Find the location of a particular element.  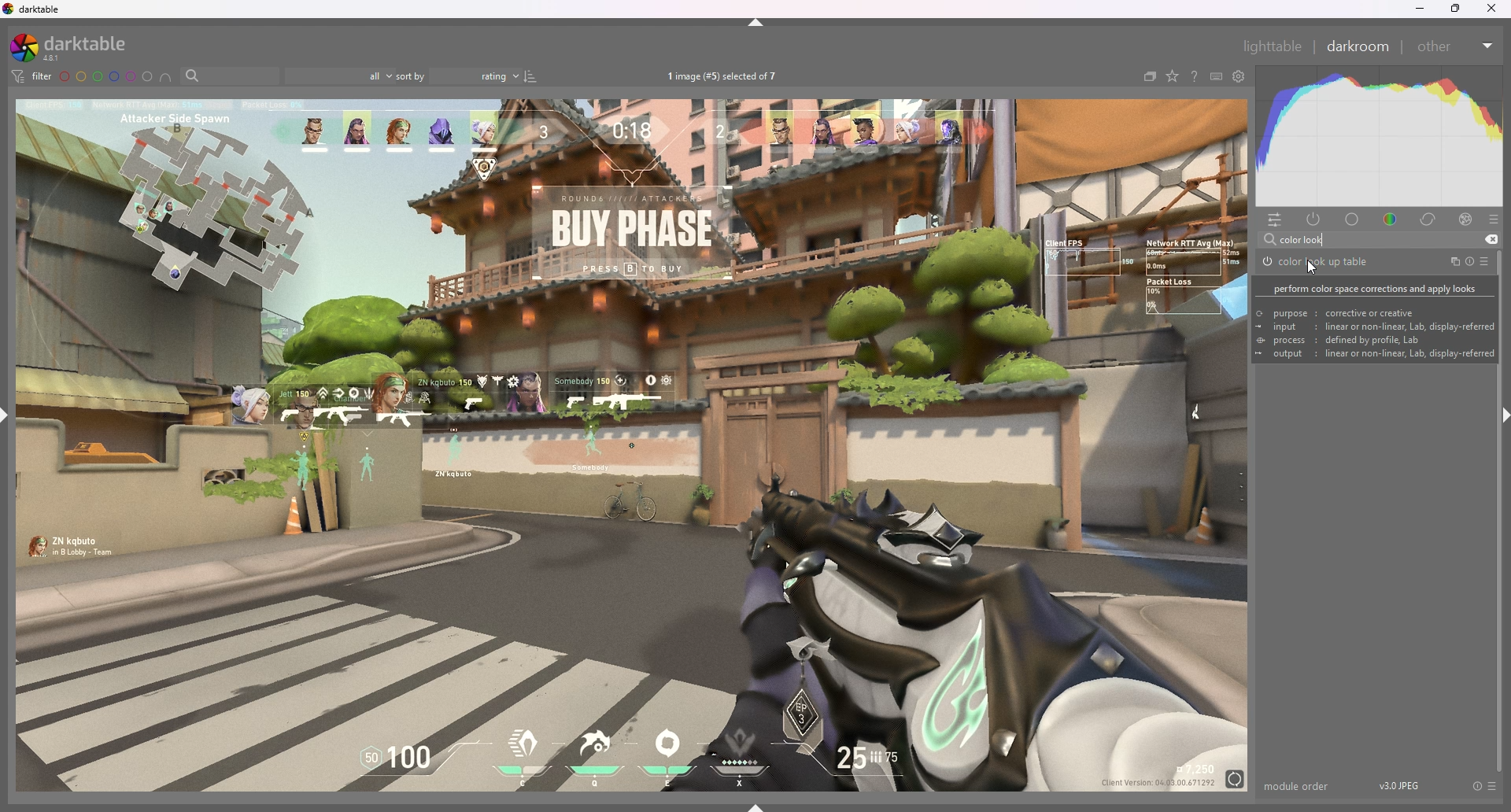

module order is located at coordinates (1299, 786).